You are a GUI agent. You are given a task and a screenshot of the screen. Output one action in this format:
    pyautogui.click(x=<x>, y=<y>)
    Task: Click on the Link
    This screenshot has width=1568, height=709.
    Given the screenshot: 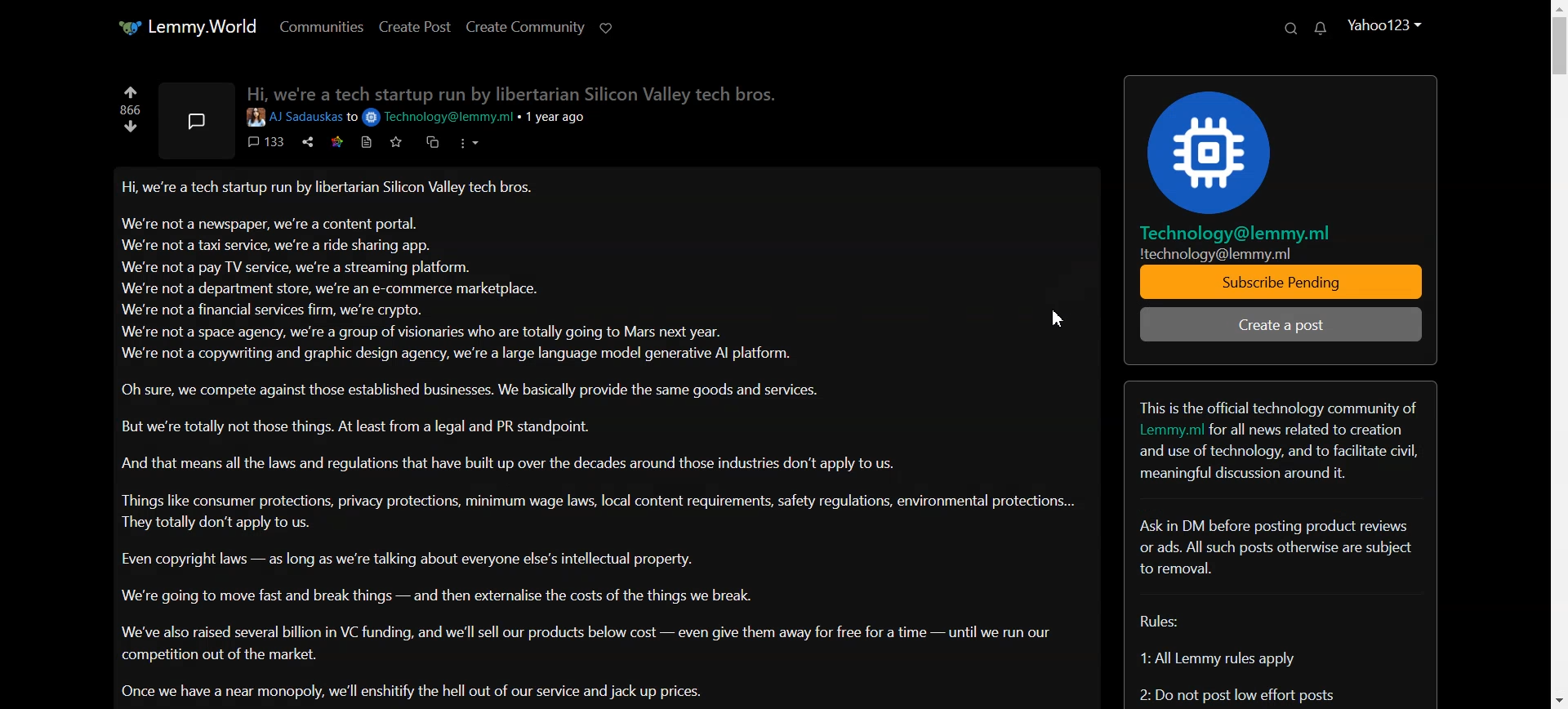 What is the action you would take?
    pyautogui.click(x=335, y=141)
    